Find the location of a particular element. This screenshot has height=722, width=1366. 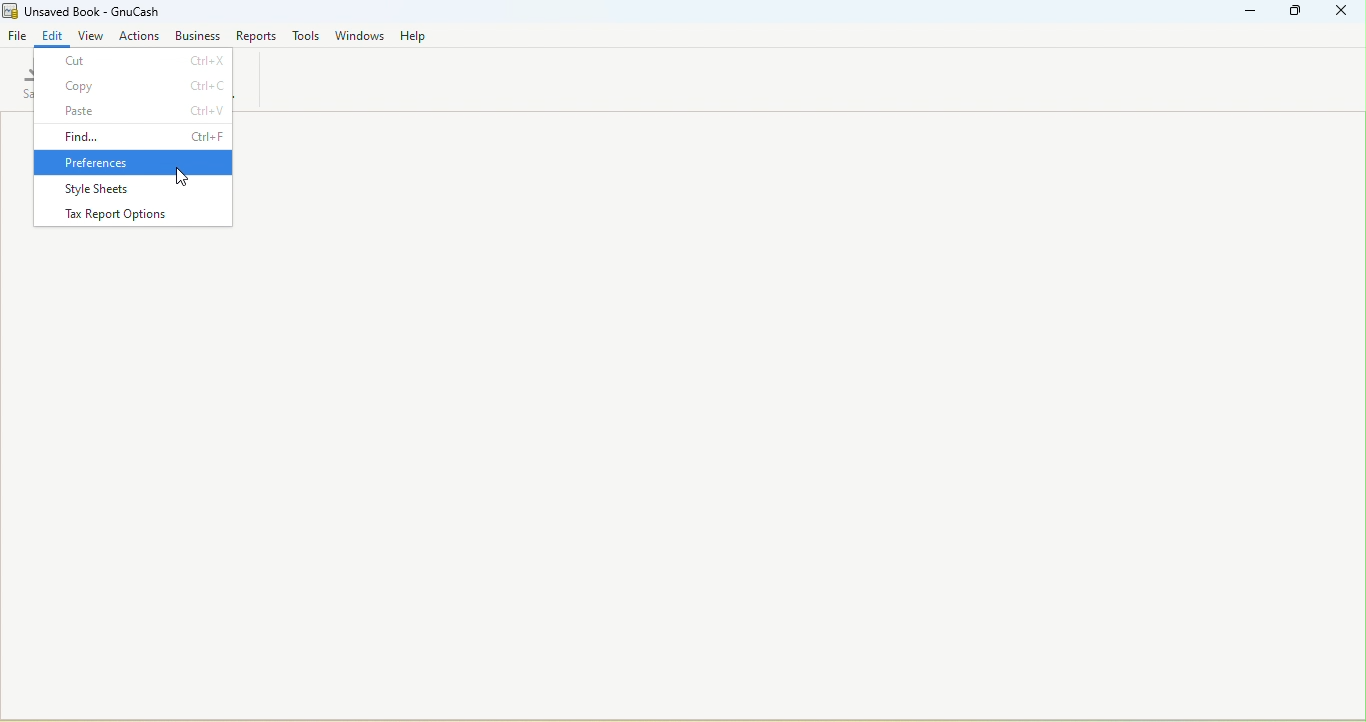

Reports is located at coordinates (255, 36).